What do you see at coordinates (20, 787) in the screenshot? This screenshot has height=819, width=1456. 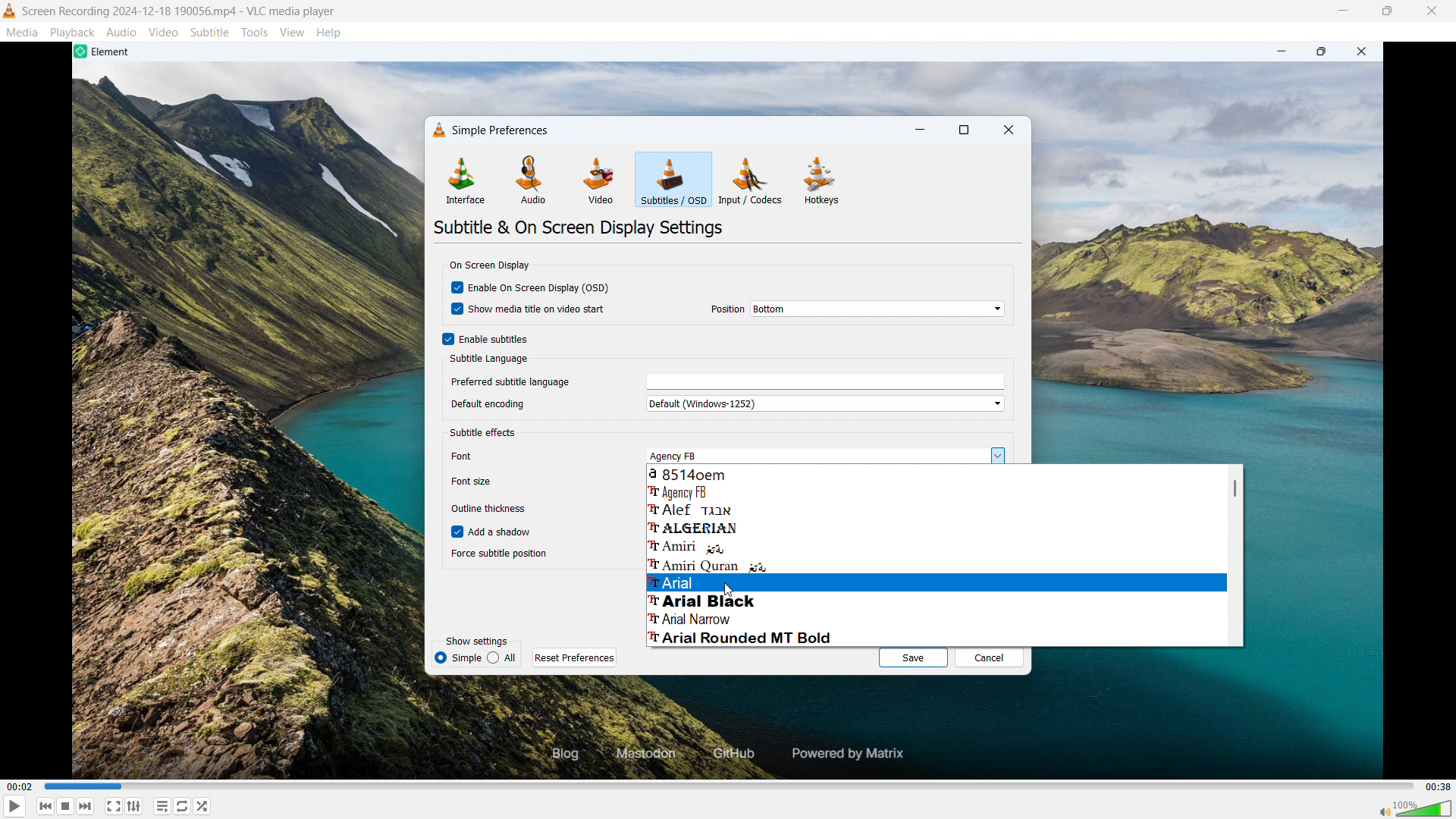 I see `time elapsed` at bounding box center [20, 787].